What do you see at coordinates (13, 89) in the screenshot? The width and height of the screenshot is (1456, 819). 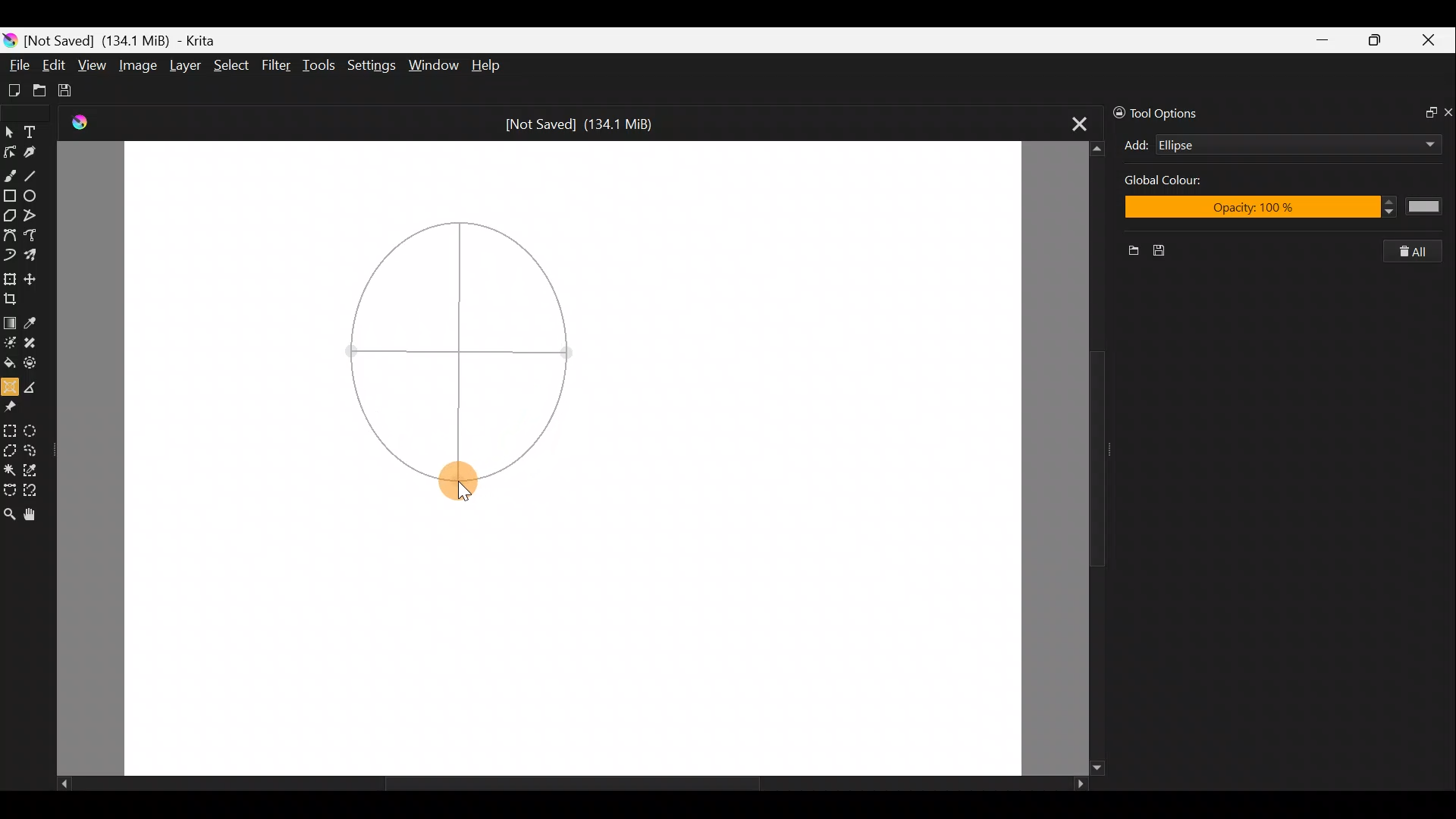 I see `Create new document` at bounding box center [13, 89].